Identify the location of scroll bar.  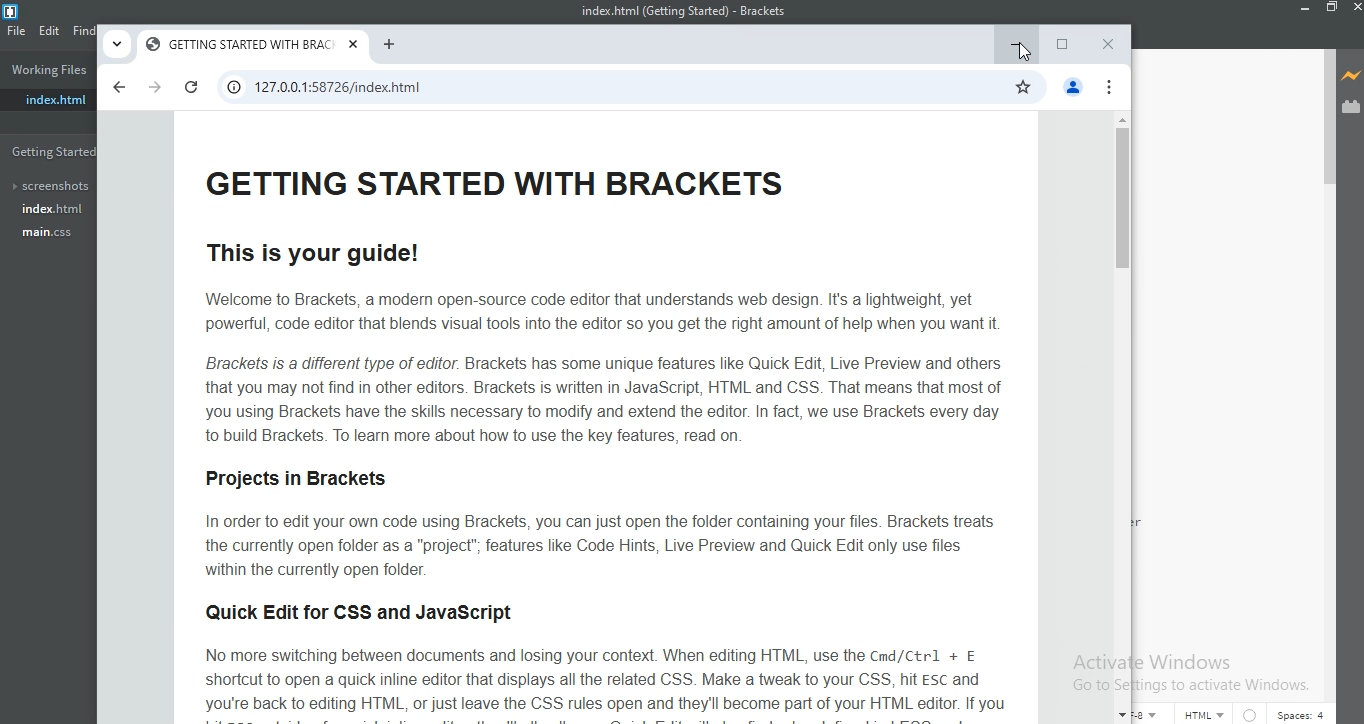
(1121, 417).